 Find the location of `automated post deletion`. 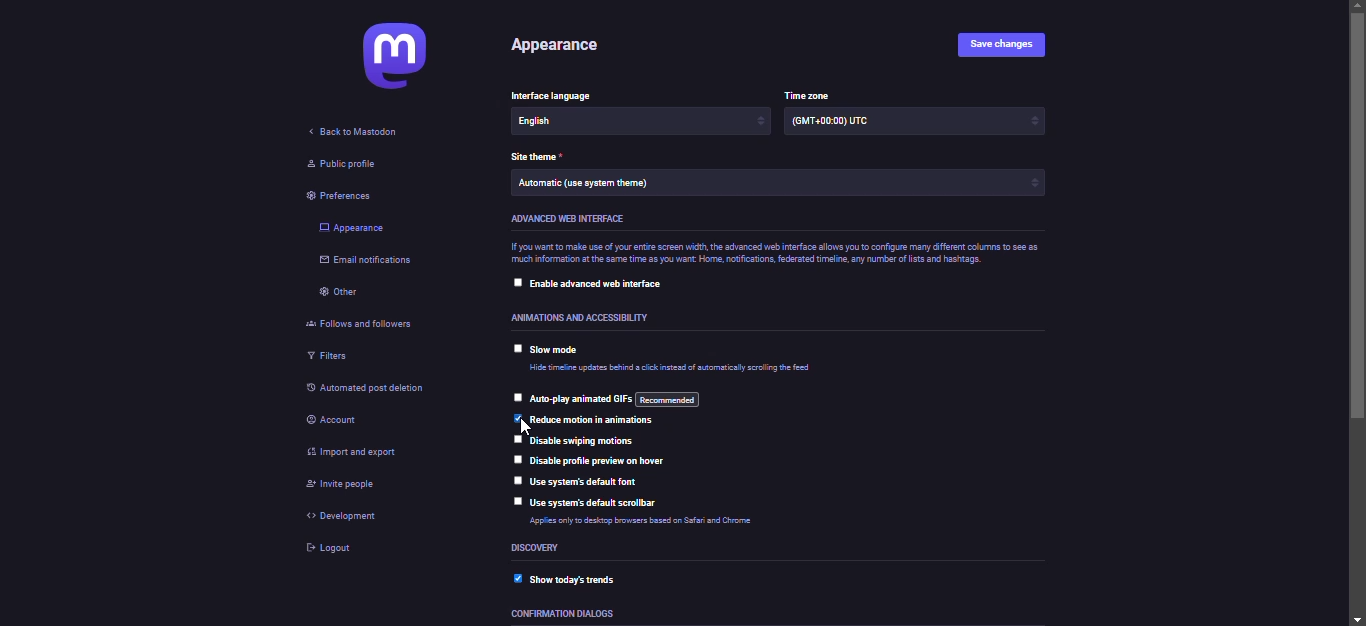

automated post deletion is located at coordinates (363, 385).